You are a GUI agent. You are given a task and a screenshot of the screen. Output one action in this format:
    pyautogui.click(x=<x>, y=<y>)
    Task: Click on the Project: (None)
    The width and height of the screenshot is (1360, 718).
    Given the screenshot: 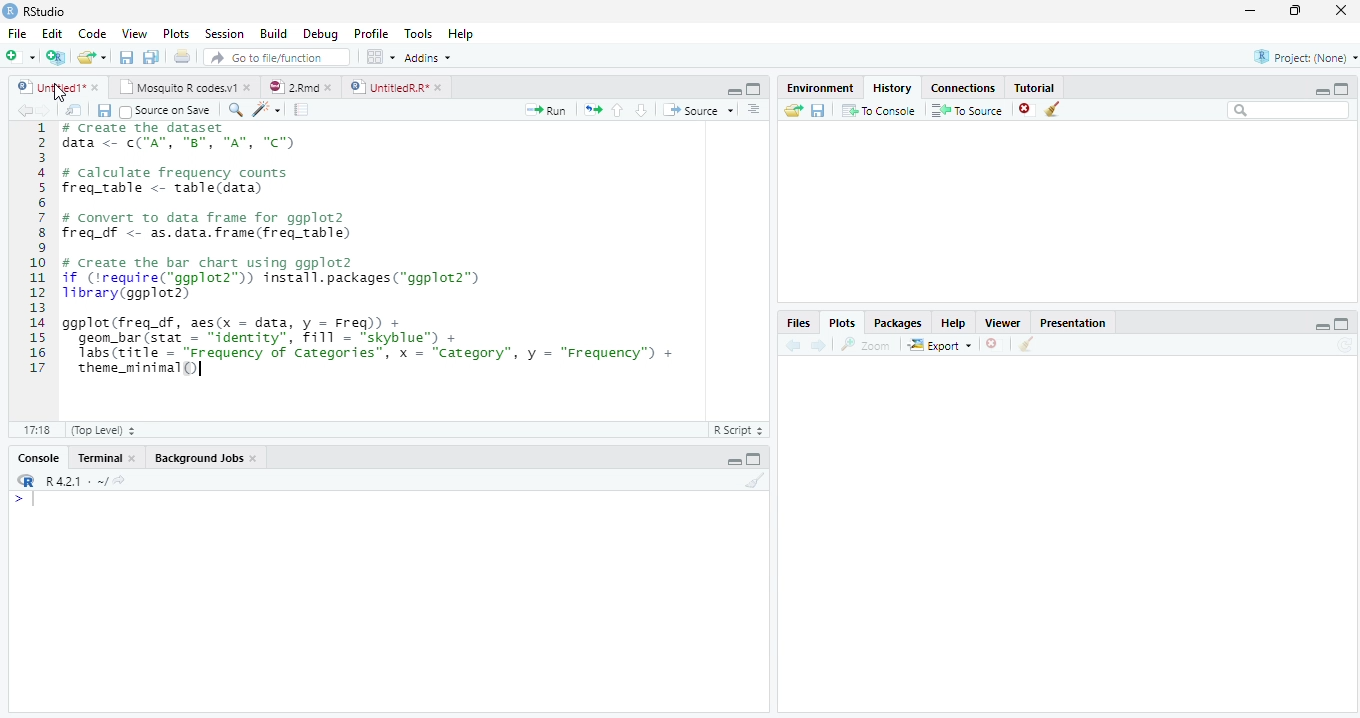 What is the action you would take?
    pyautogui.click(x=1299, y=59)
    